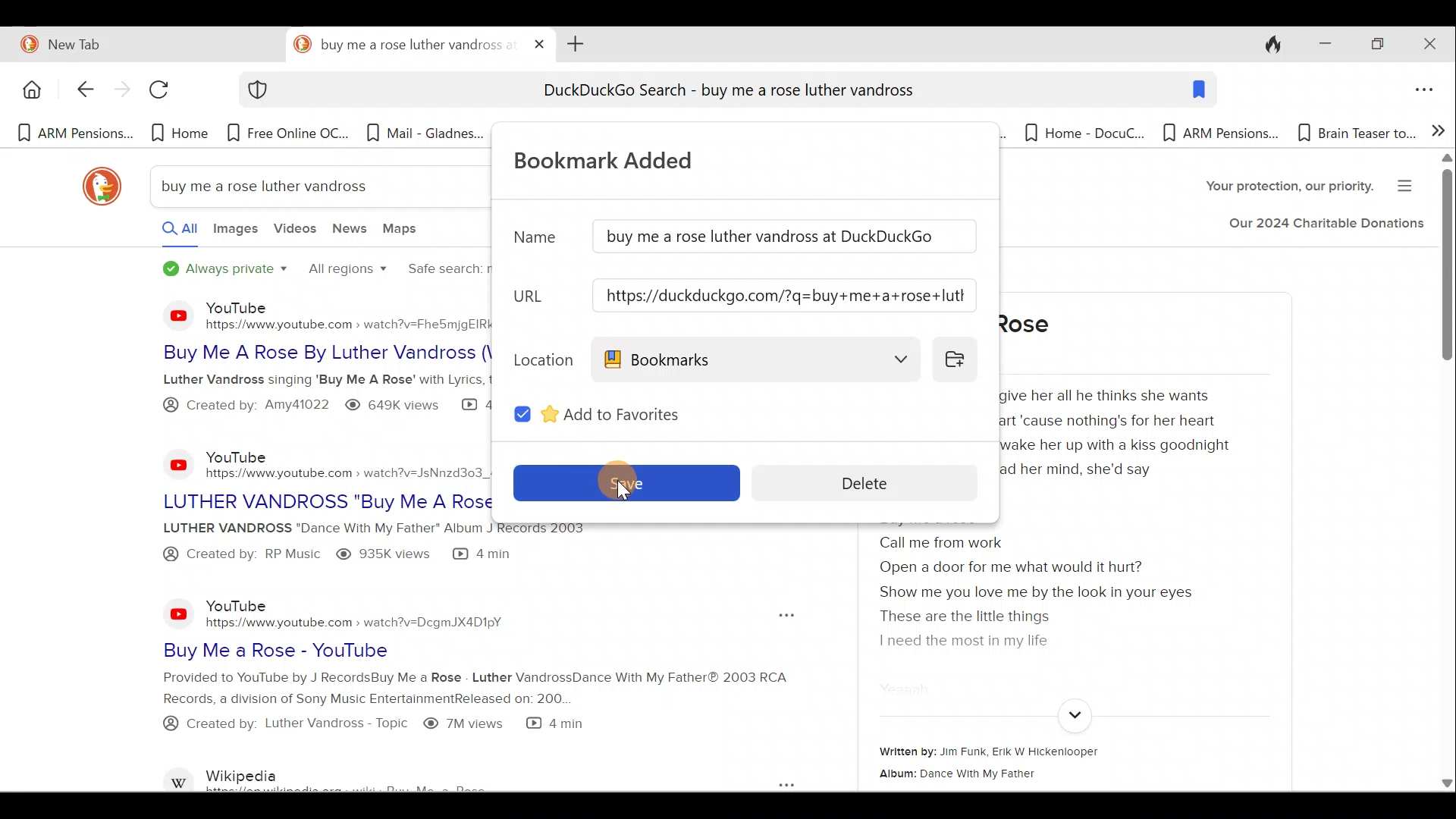 Image resolution: width=1456 pixels, height=819 pixels. I want to click on Close tab, so click(540, 41).